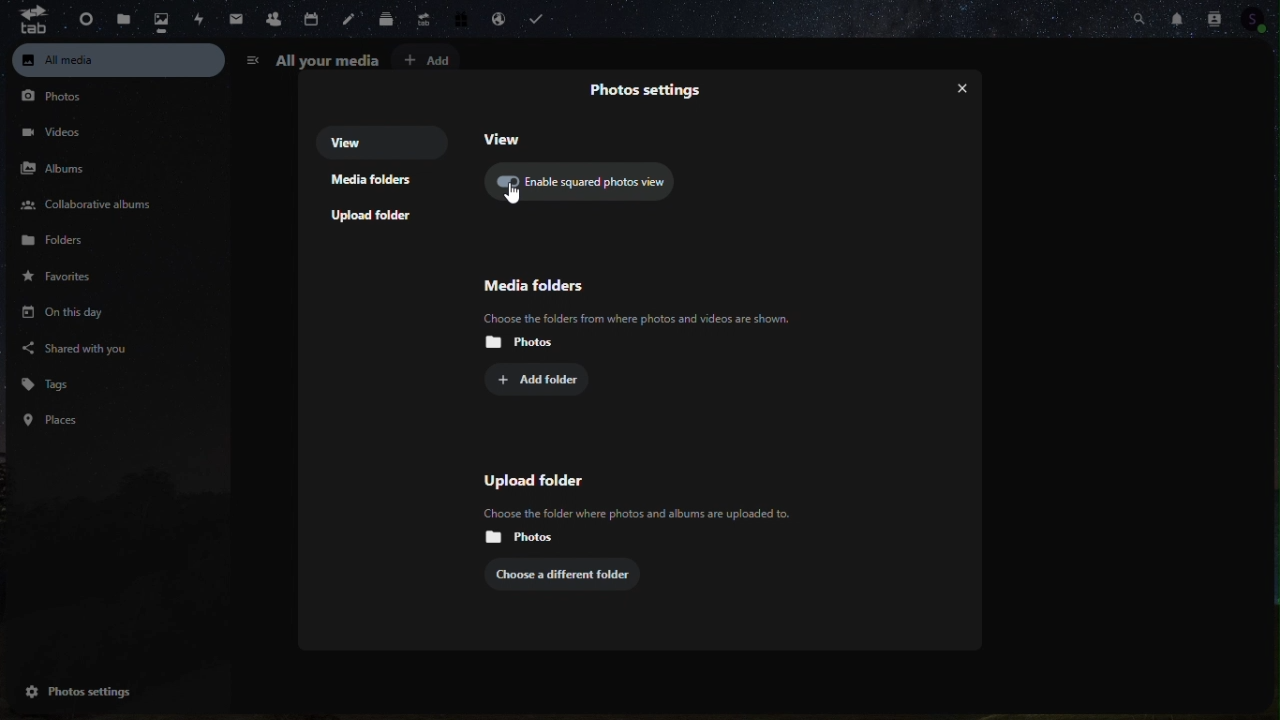  Describe the element at coordinates (521, 341) in the screenshot. I see `Photos` at that location.